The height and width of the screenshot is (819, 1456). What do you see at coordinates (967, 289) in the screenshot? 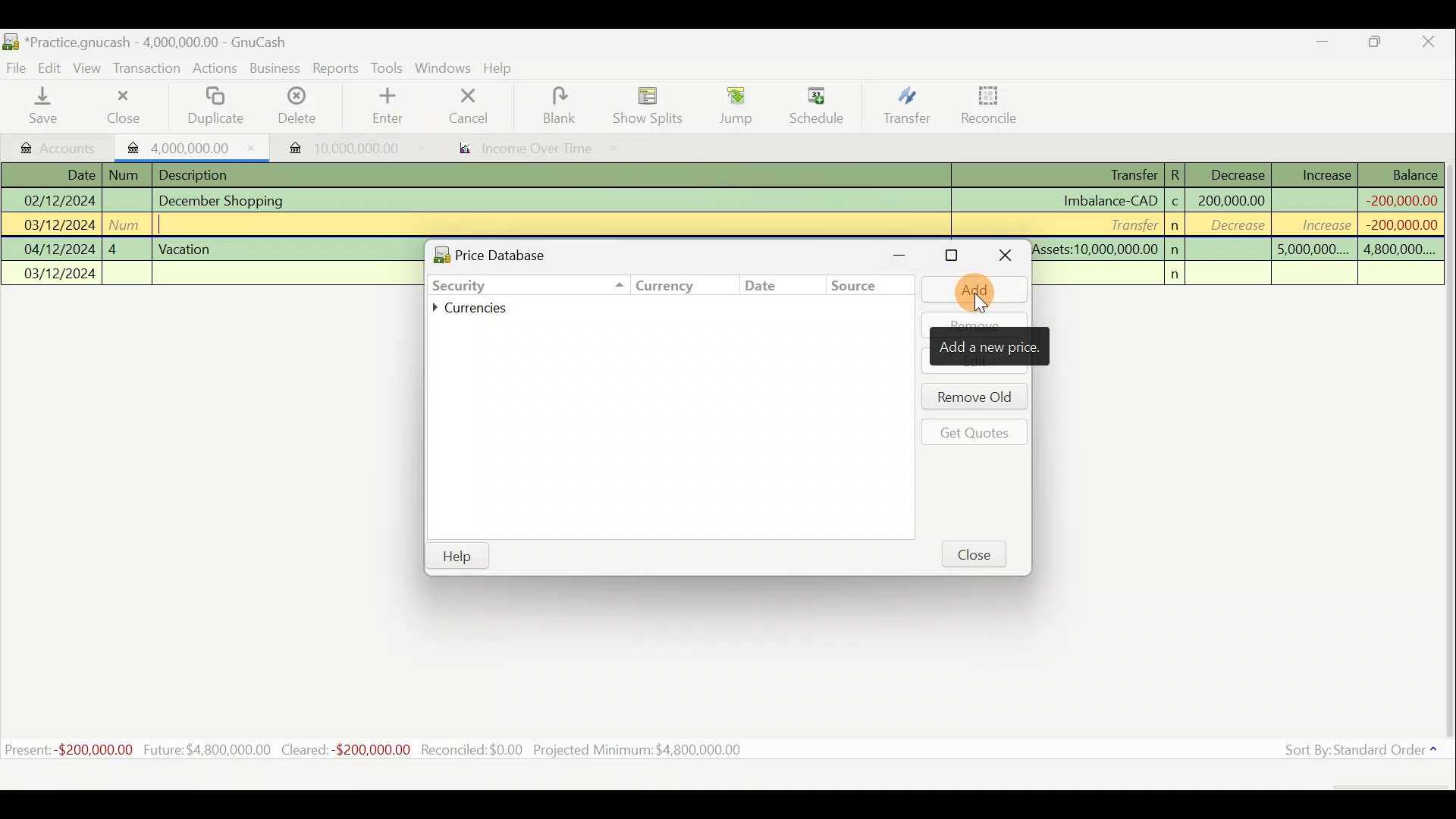
I see `Add` at bounding box center [967, 289].